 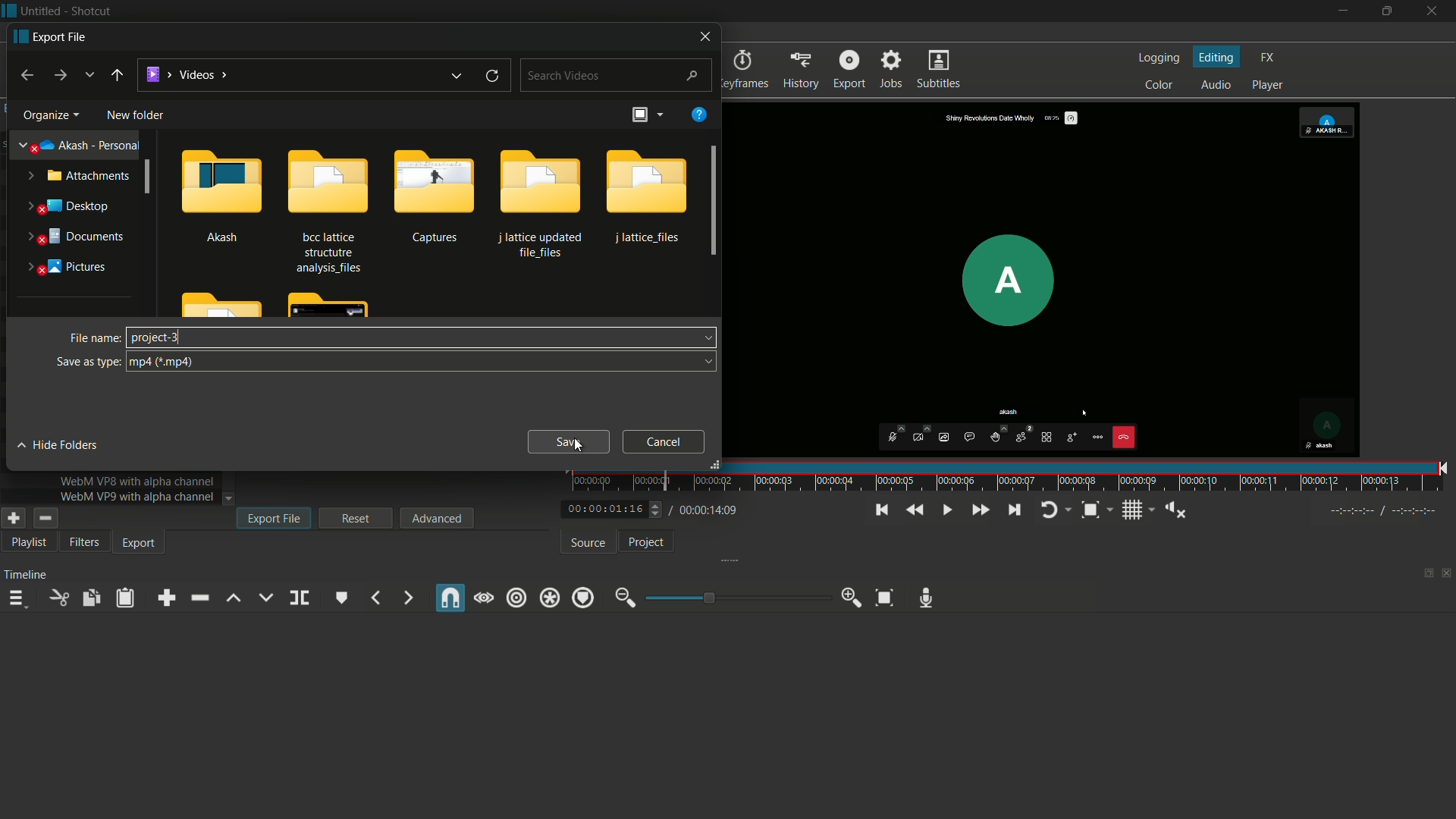 I want to click on folder-2, so click(x=325, y=208).